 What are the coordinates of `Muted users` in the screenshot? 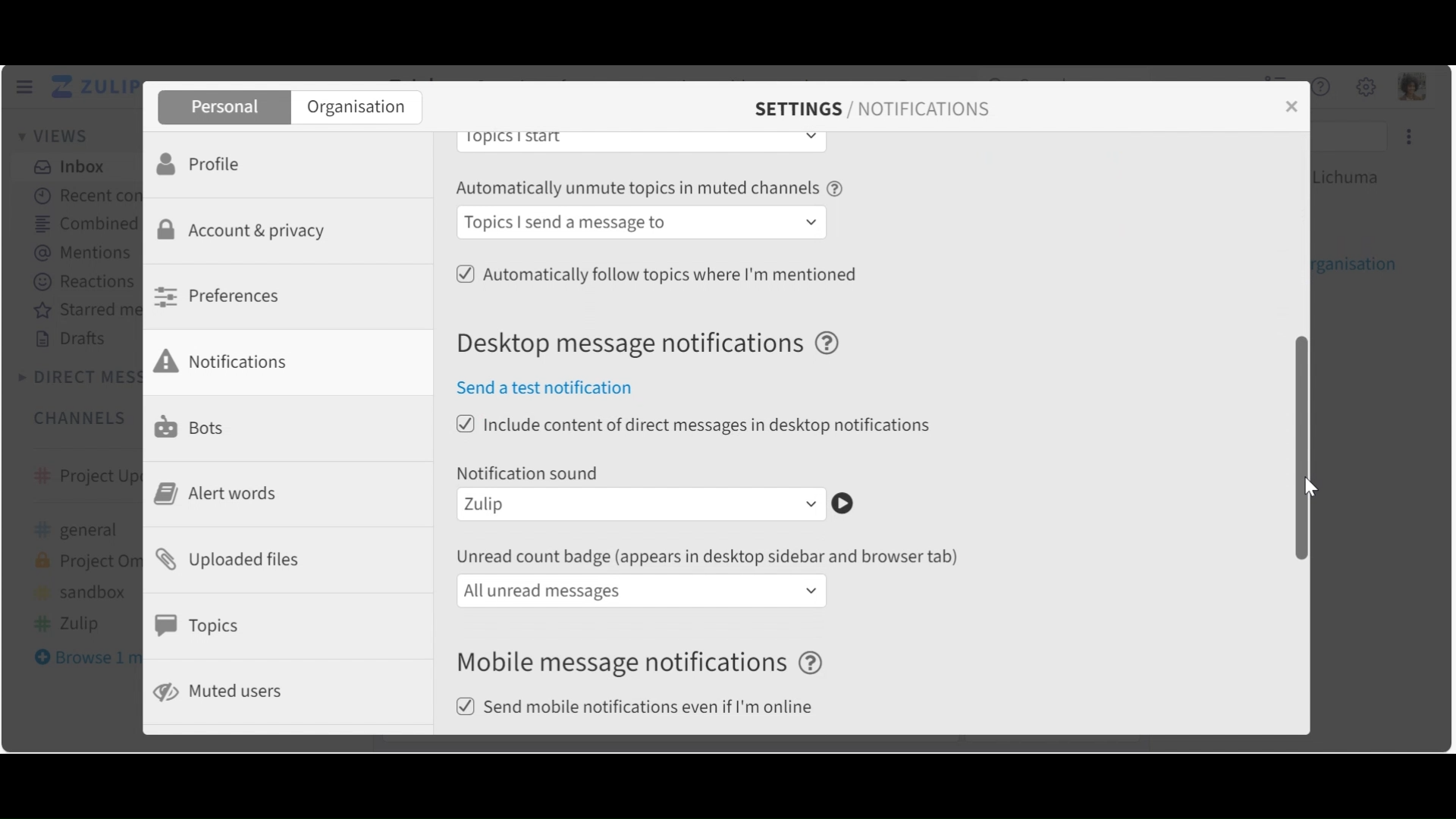 It's located at (221, 692).